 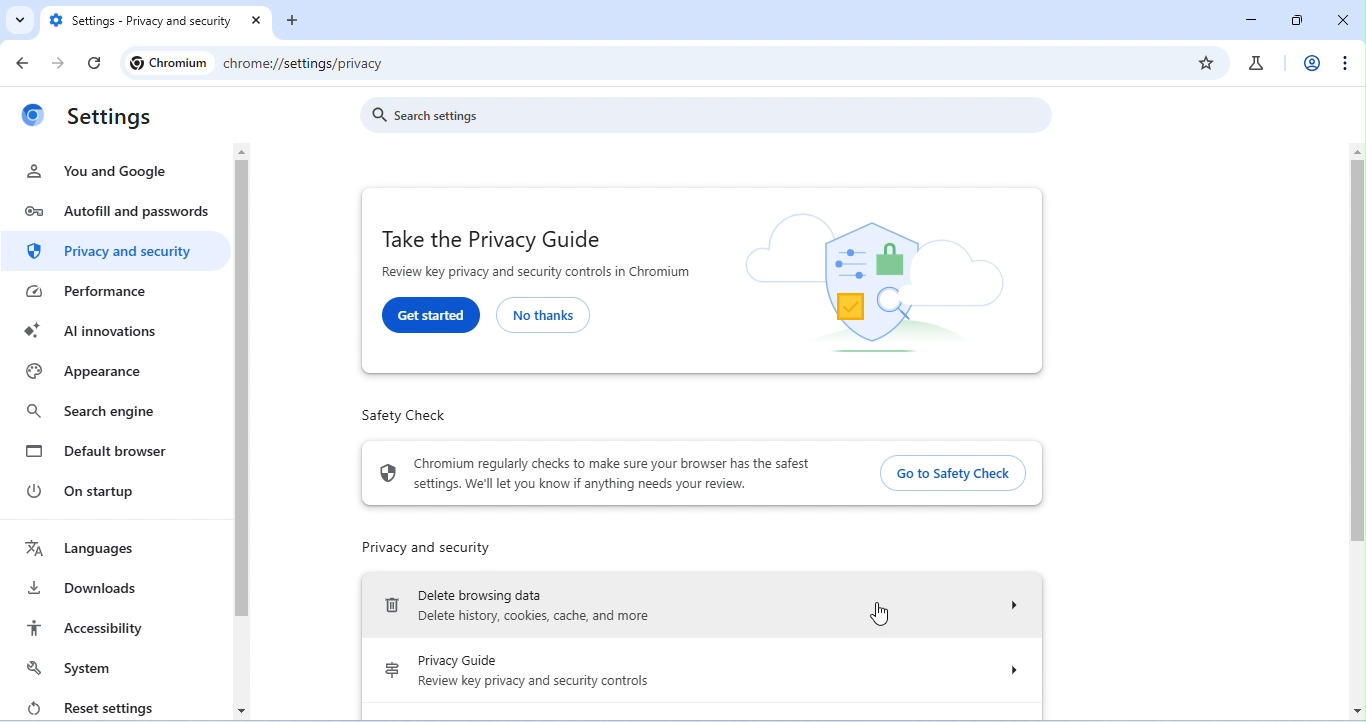 I want to click on settings-privacy and security, so click(x=142, y=22).